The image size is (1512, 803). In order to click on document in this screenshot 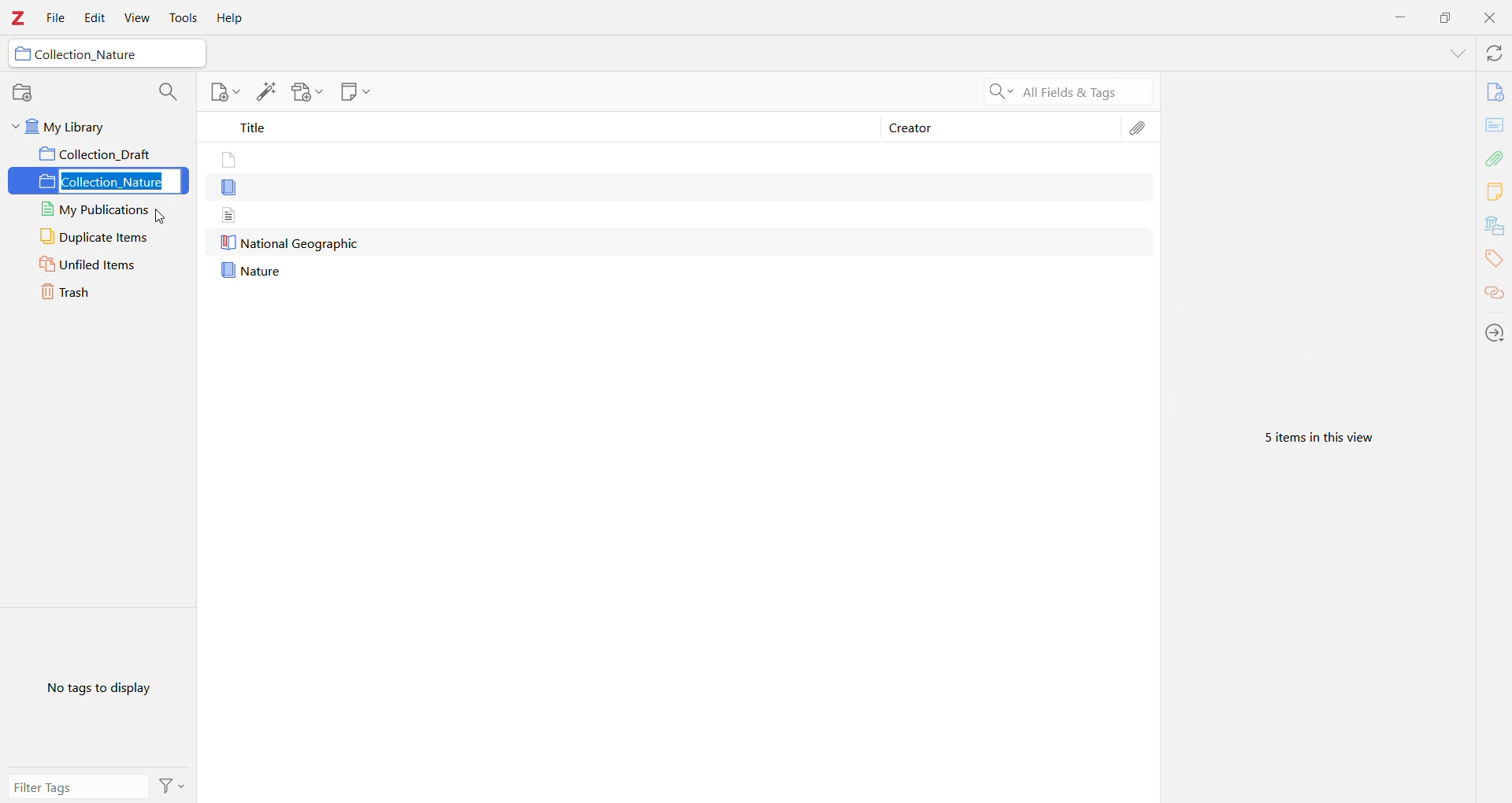, I will do `click(224, 215)`.